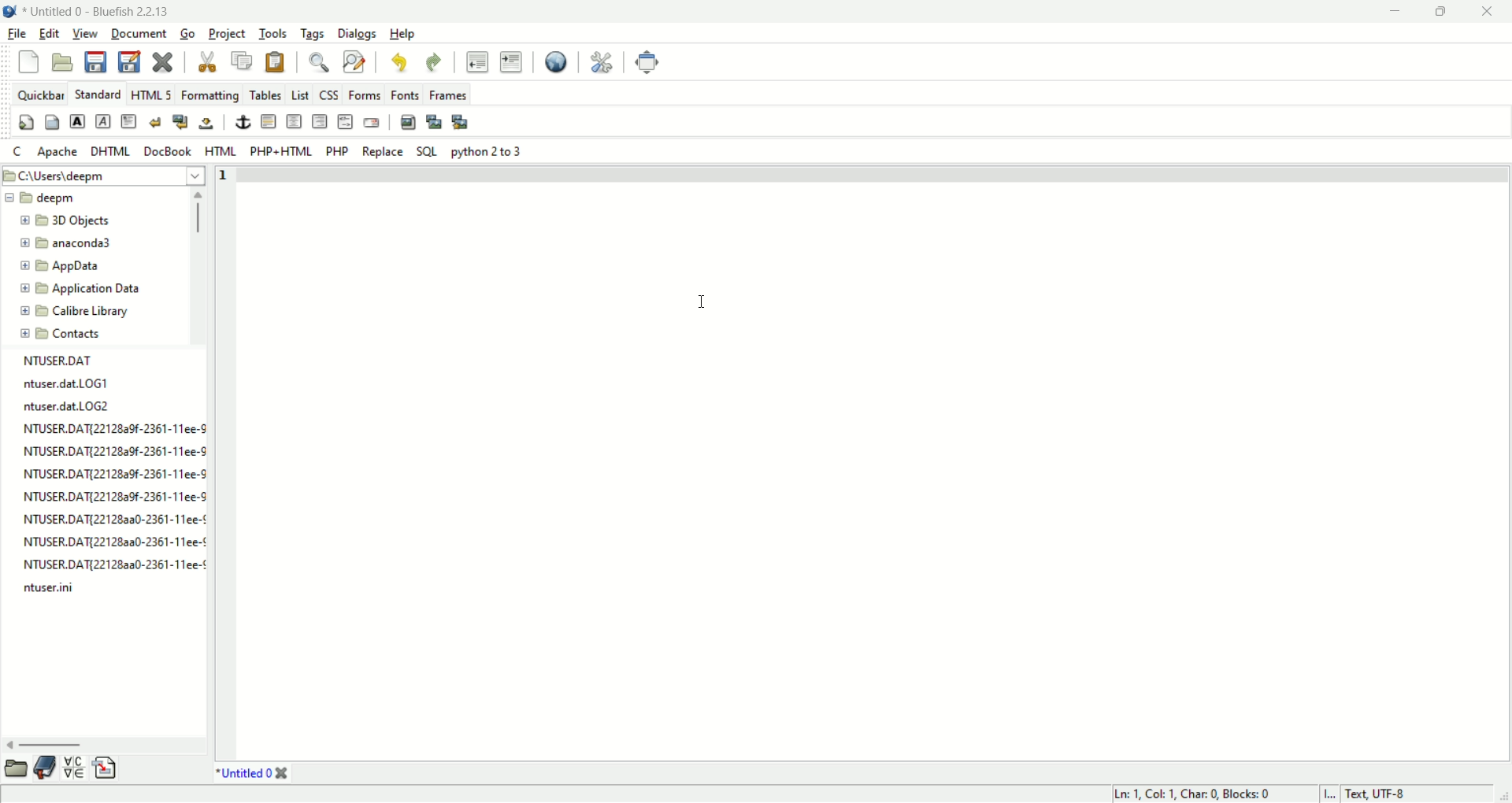 Image resolution: width=1512 pixels, height=803 pixels. What do you see at coordinates (384, 152) in the screenshot?
I see `REPLACE` at bounding box center [384, 152].